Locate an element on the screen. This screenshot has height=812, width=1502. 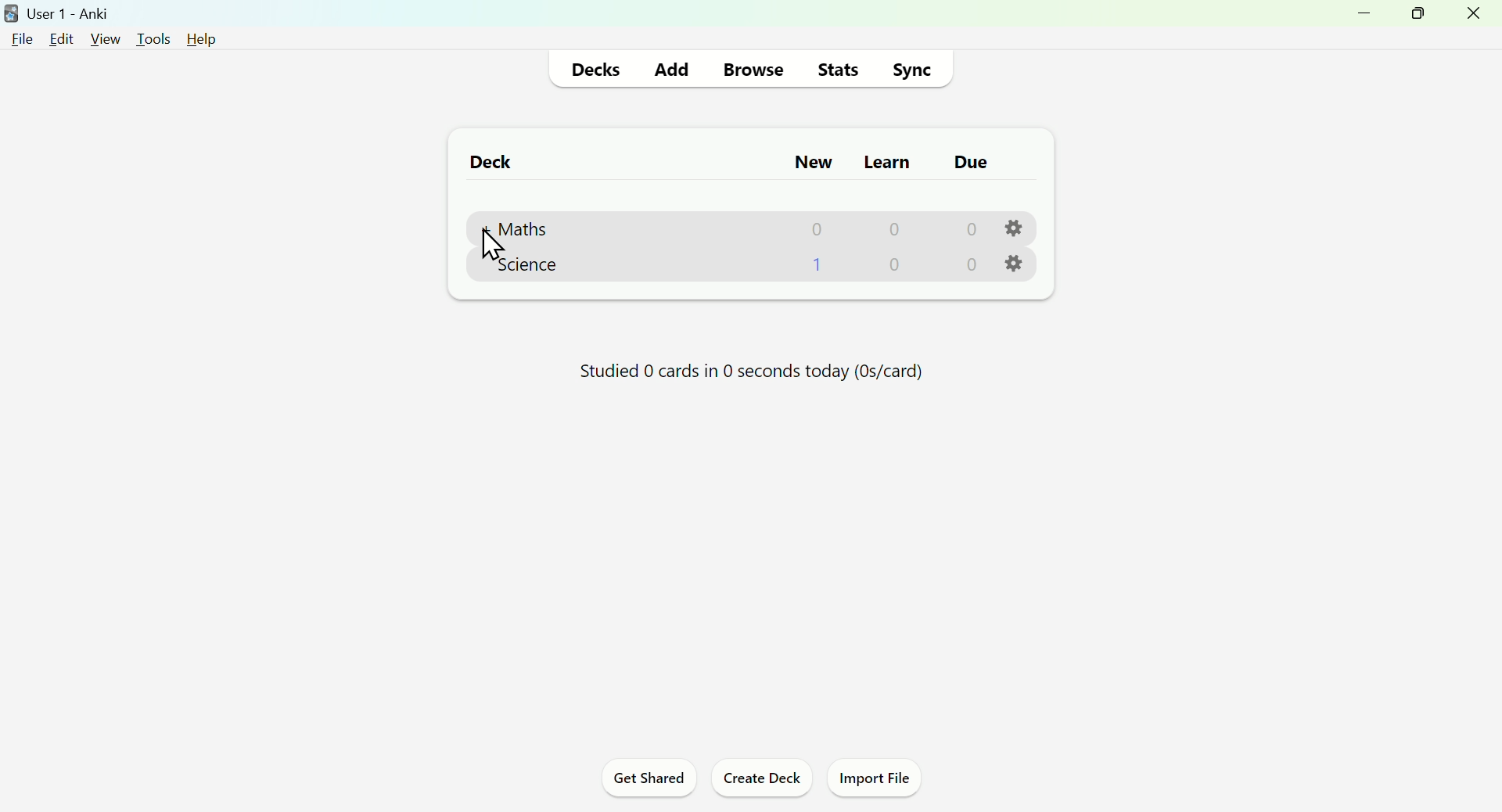
Progress is located at coordinates (752, 368).